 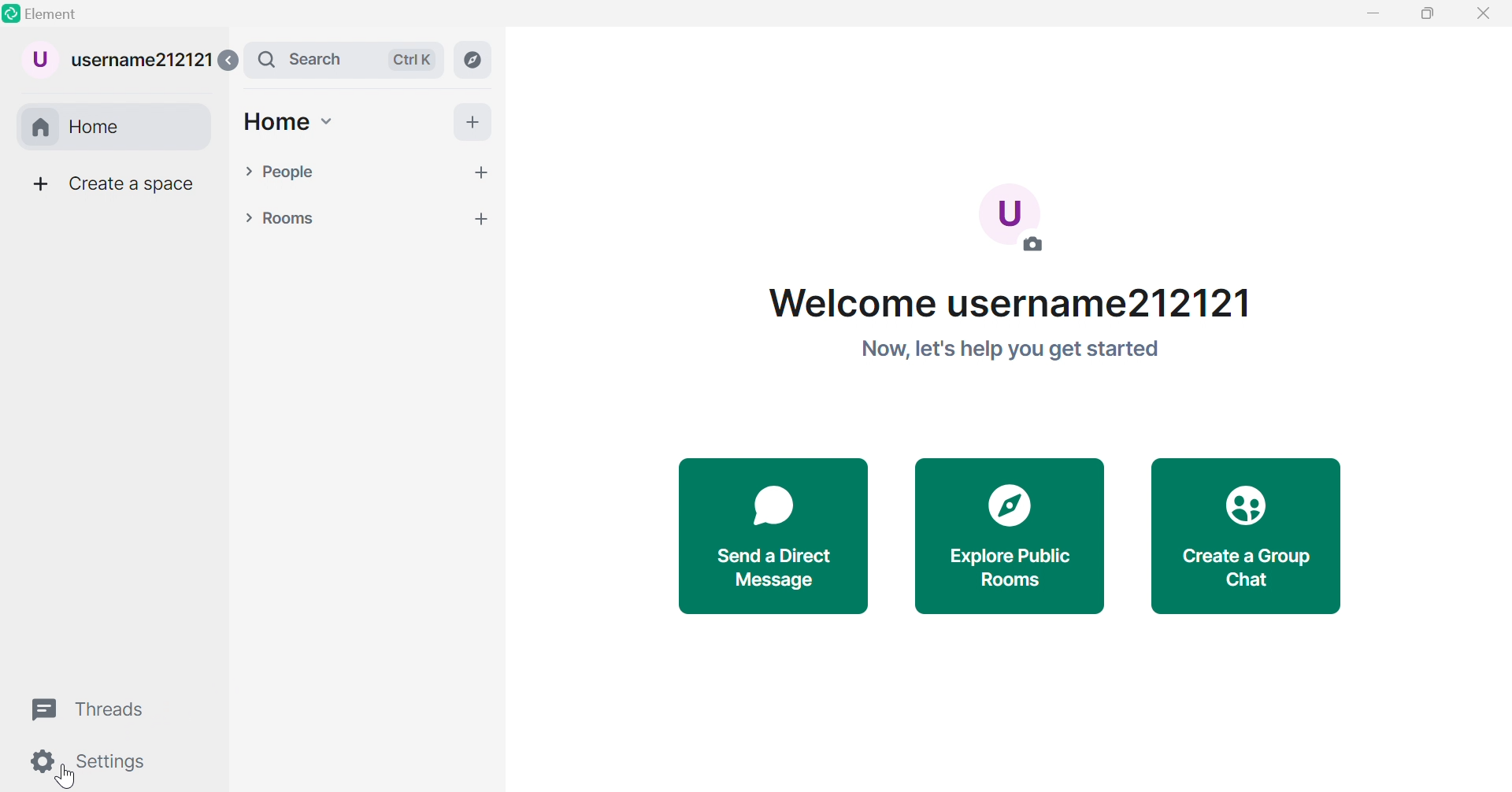 What do you see at coordinates (773, 568) in the screenshot?
I see `Send a direct messsage` at bounding box center [773, 568].